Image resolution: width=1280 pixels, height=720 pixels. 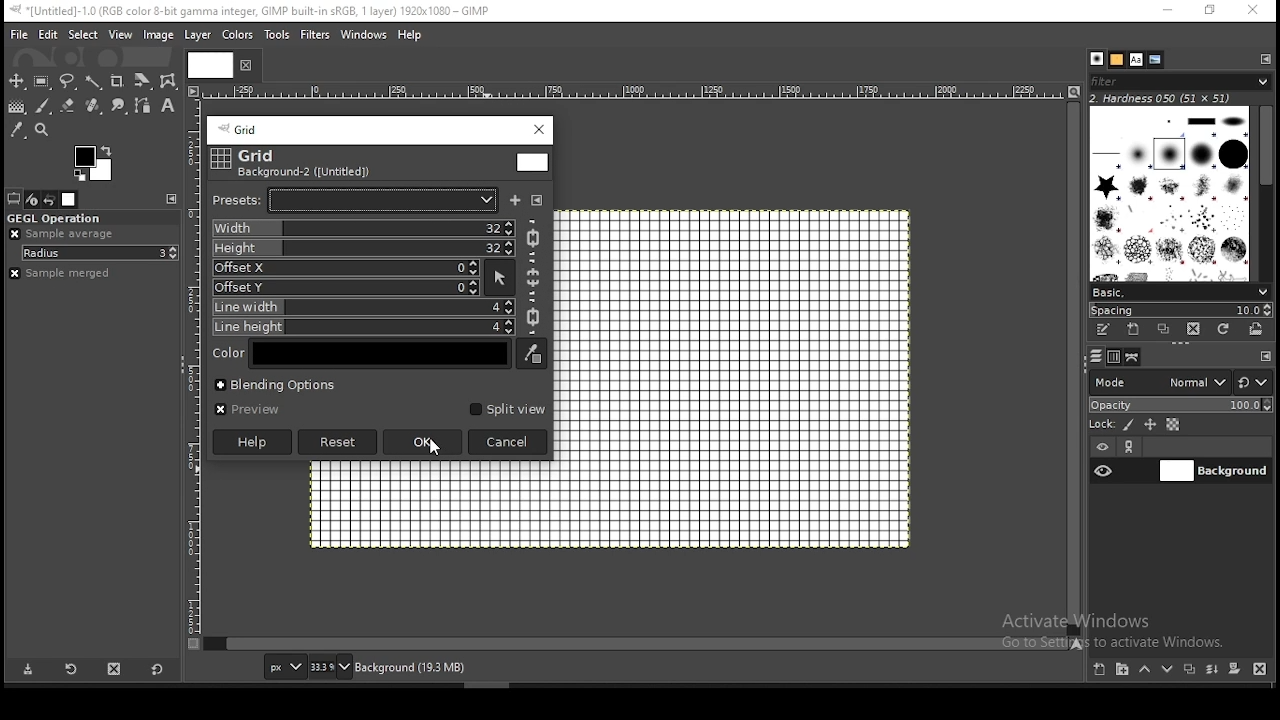 I want to click on link, so click(x=1133, y=446).